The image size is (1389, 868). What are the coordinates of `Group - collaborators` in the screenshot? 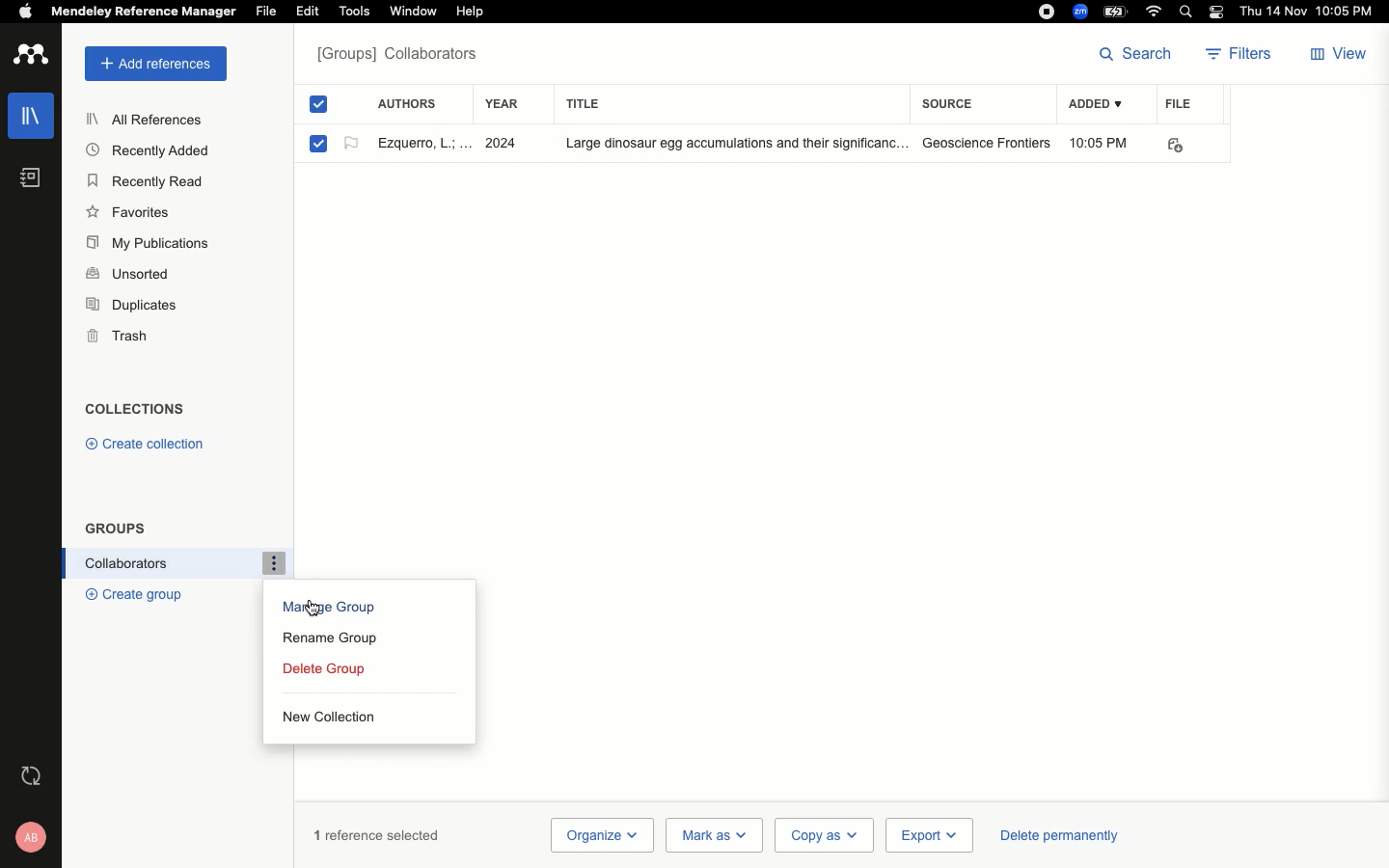 It's located at (402, 57).